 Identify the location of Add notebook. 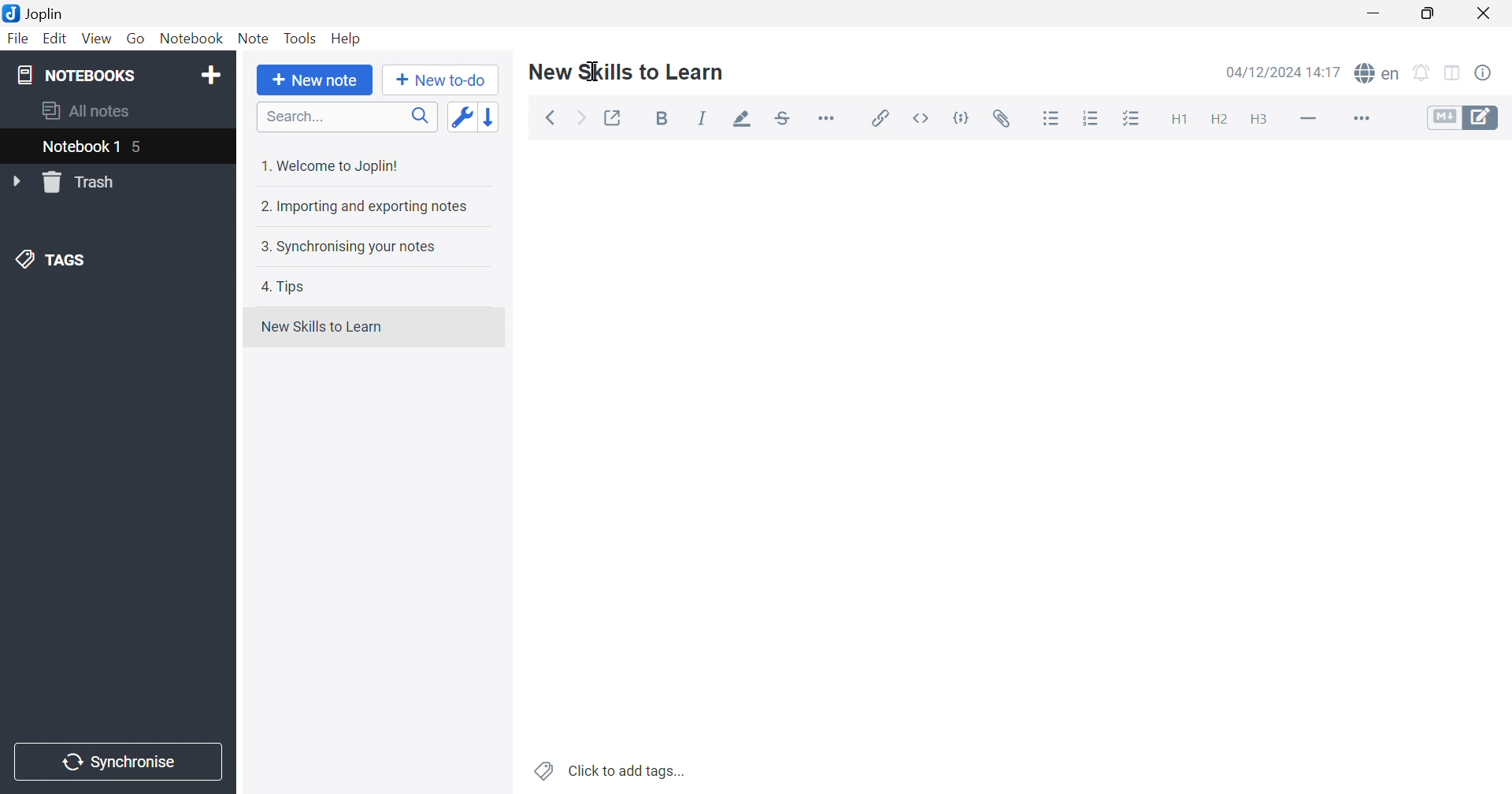
(211, 77).